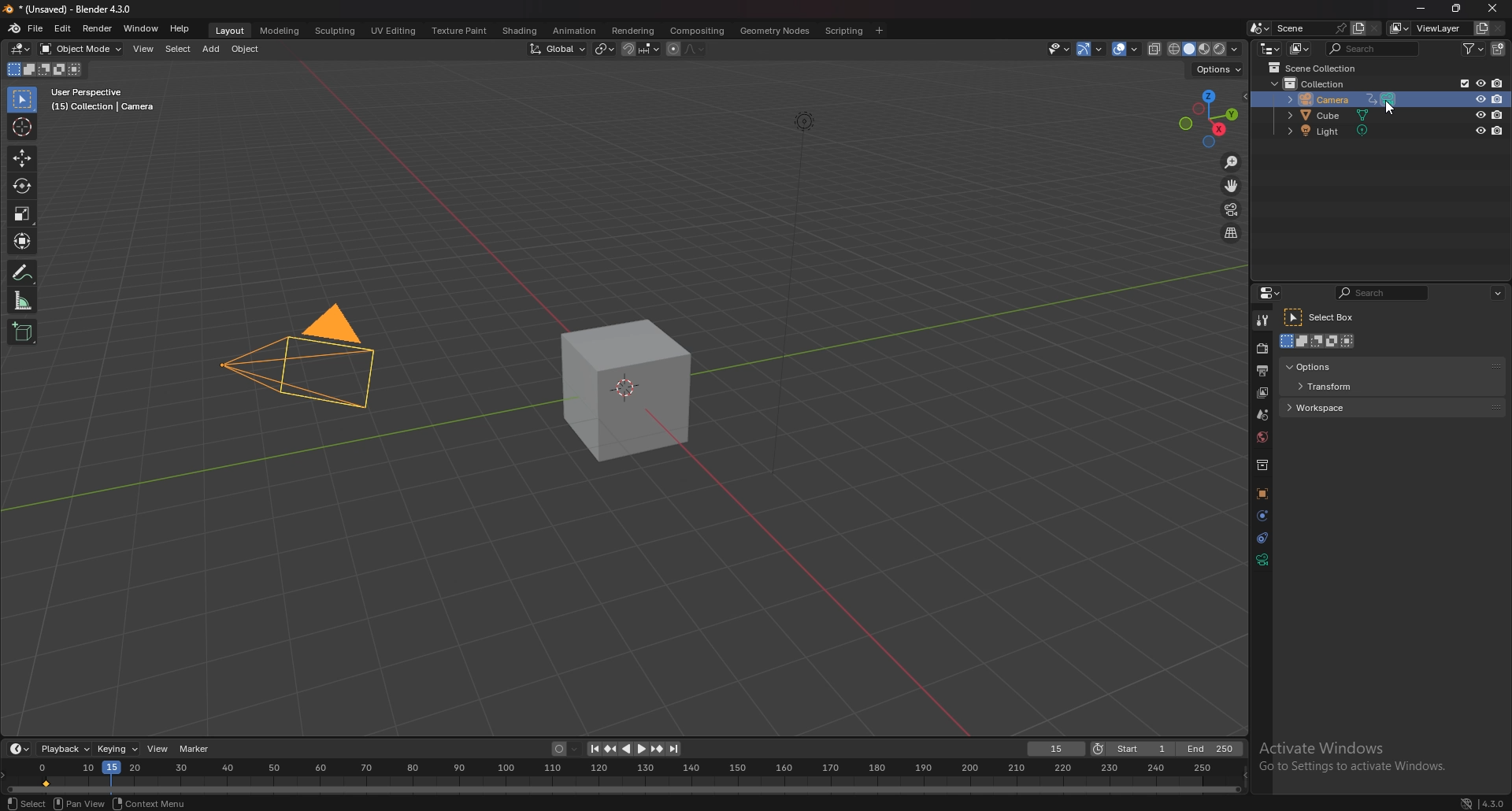 Image resolution: width=1512 pixels, height=811 pixels. Describe the element at coordinates (624, 391) in the screenshot. I see `cube` at that location.